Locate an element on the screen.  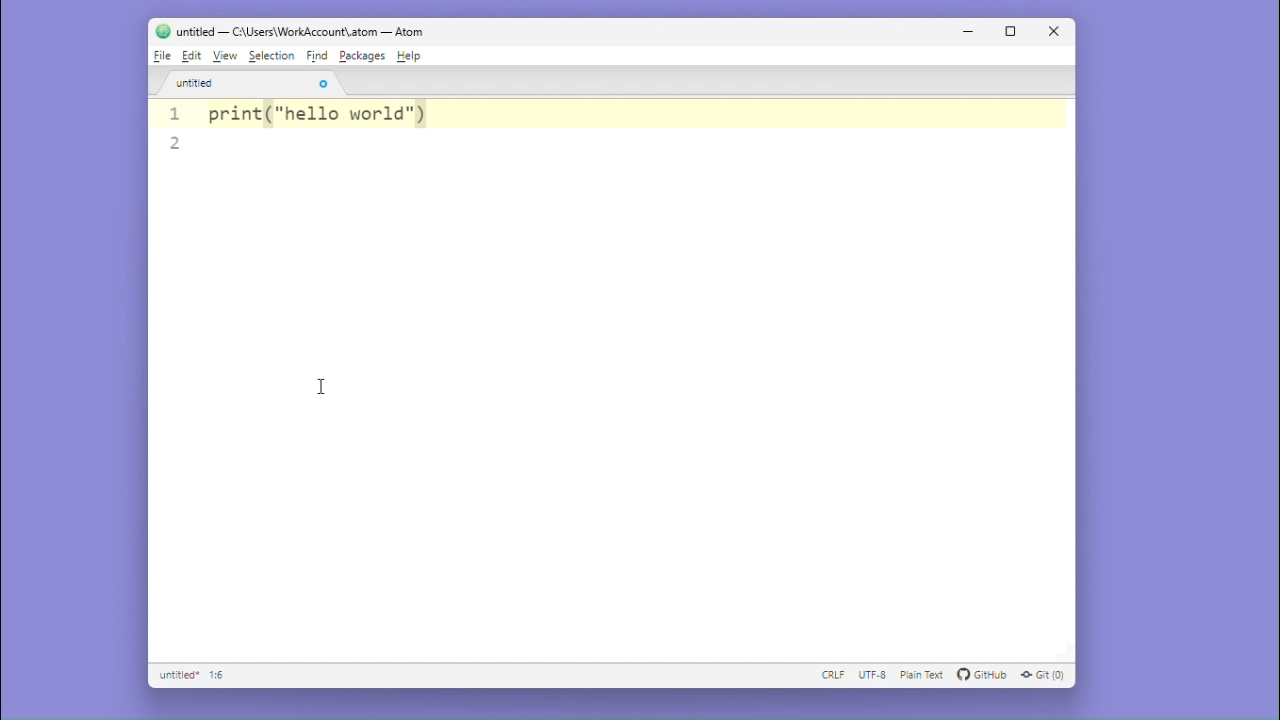
Selection is located at coordinates (272, 57).